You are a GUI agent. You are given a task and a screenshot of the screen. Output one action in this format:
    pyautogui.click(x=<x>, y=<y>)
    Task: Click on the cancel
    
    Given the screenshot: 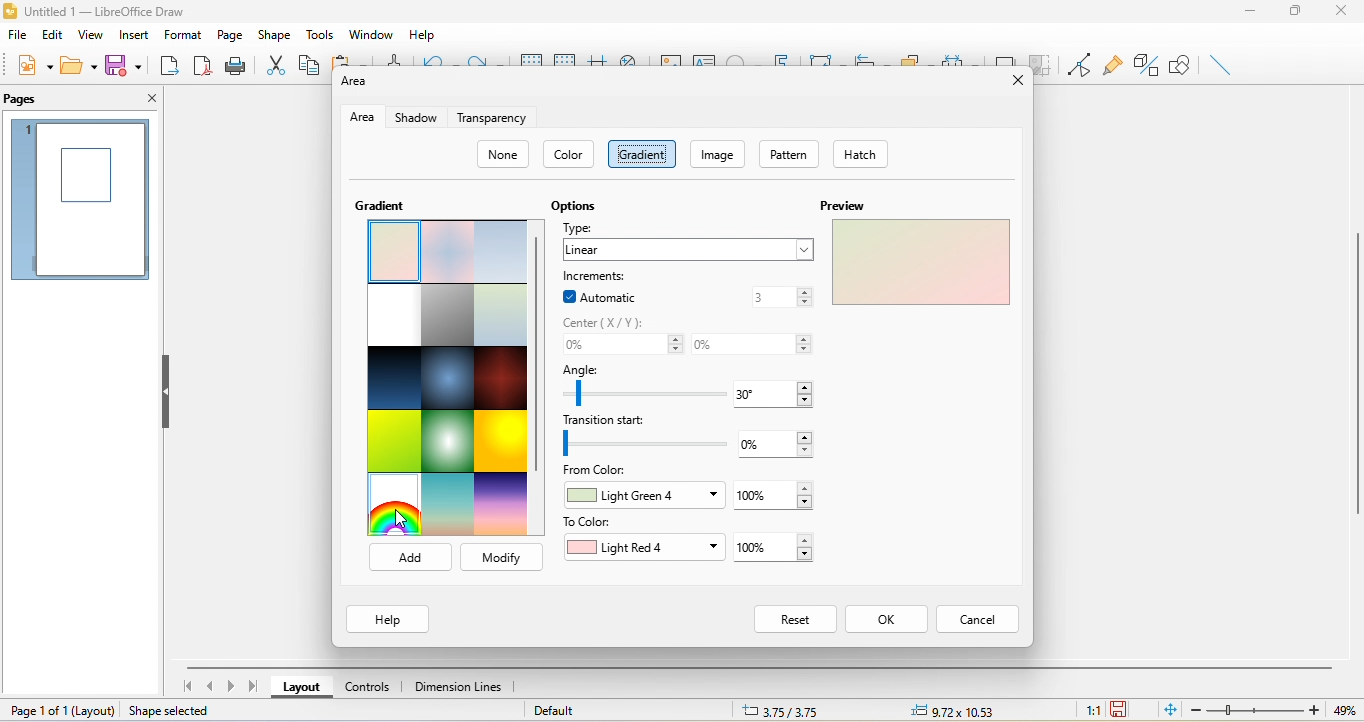 What is the action you would take?
    pyautogui.click(x=983, y=619)
    